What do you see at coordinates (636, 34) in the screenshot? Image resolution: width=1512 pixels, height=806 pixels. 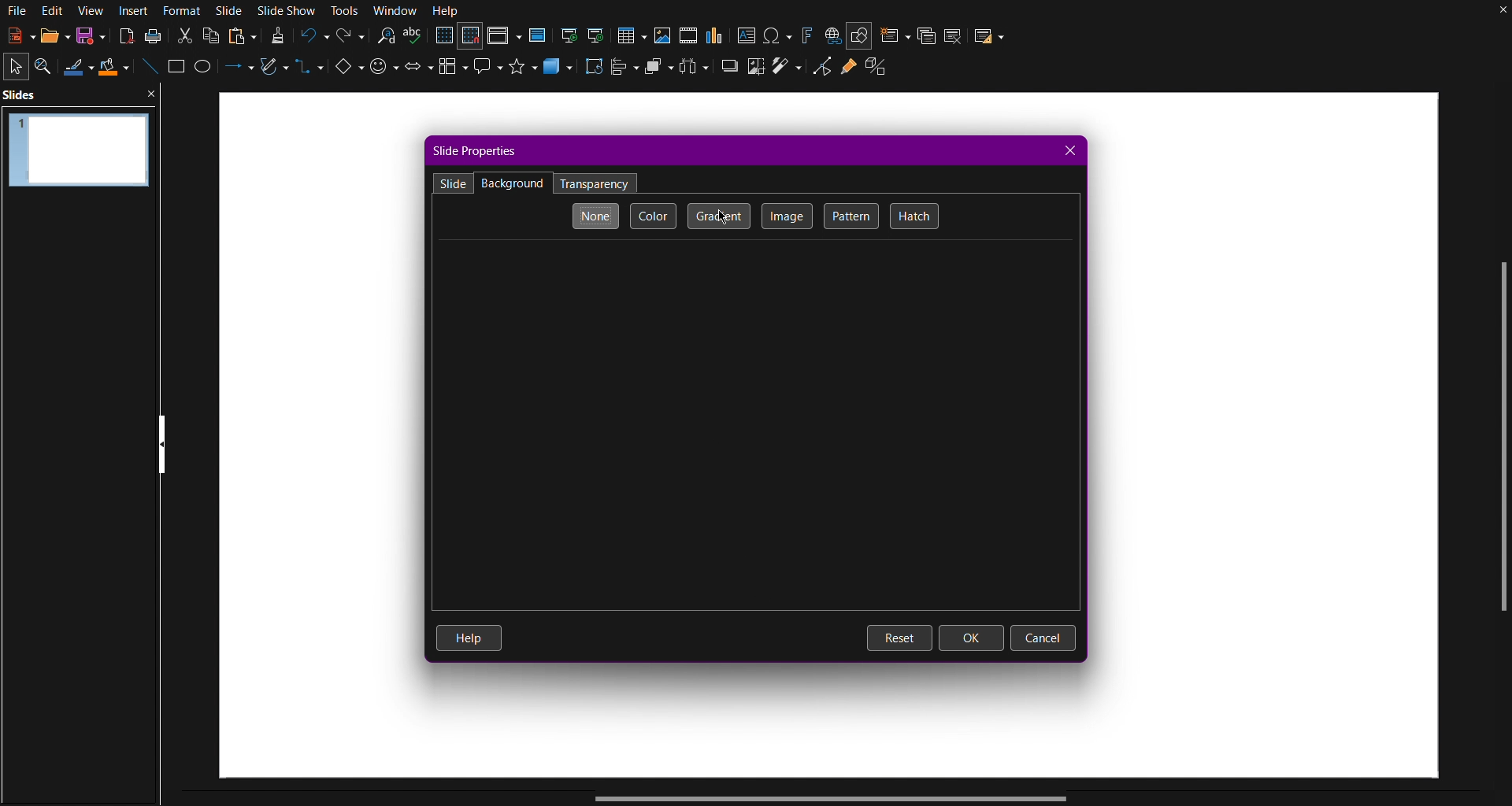 I see `Insert Table` at bounding box center [636, 34].